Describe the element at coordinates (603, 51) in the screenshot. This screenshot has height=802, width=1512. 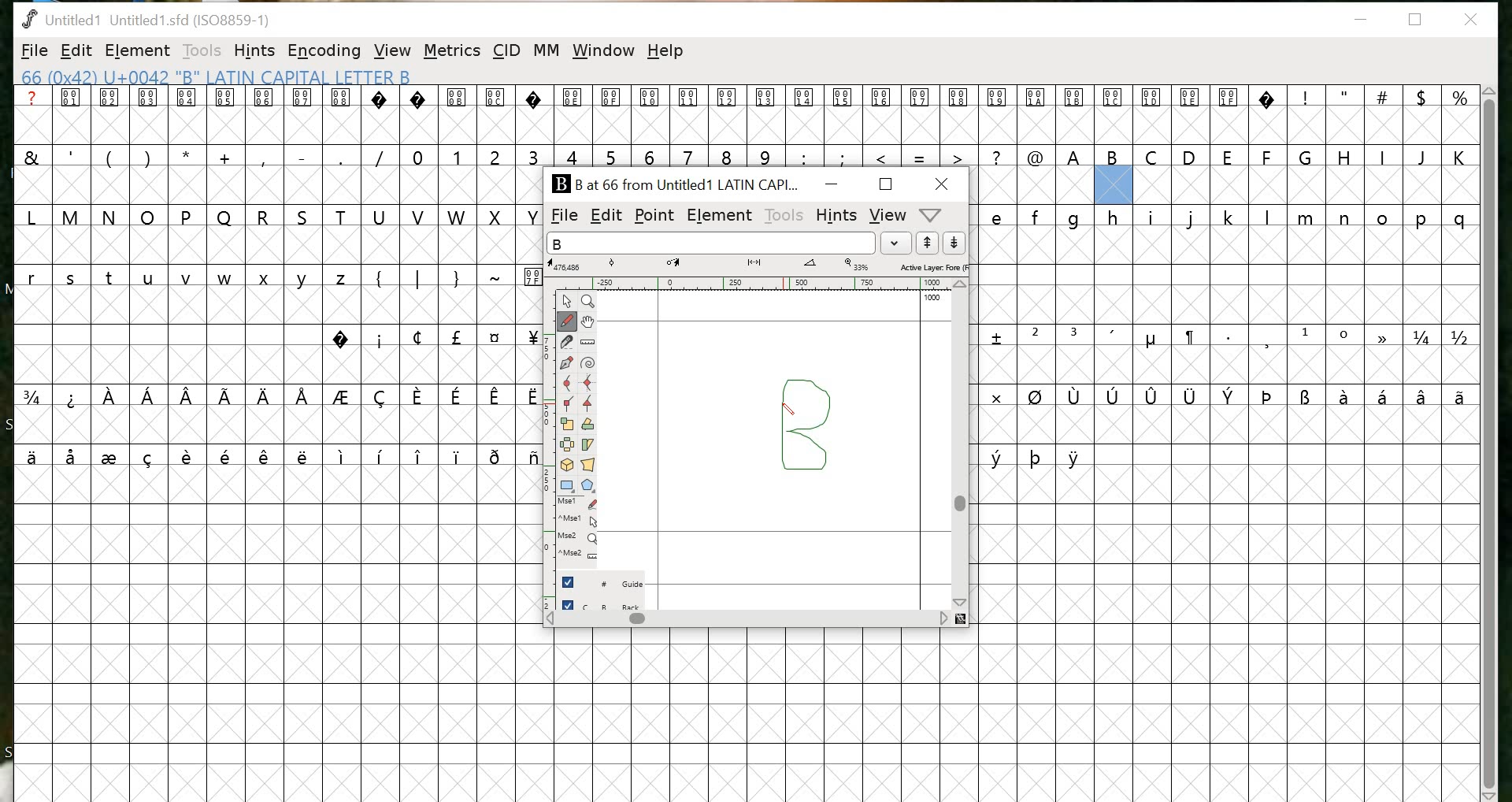
I see `window` at that location.